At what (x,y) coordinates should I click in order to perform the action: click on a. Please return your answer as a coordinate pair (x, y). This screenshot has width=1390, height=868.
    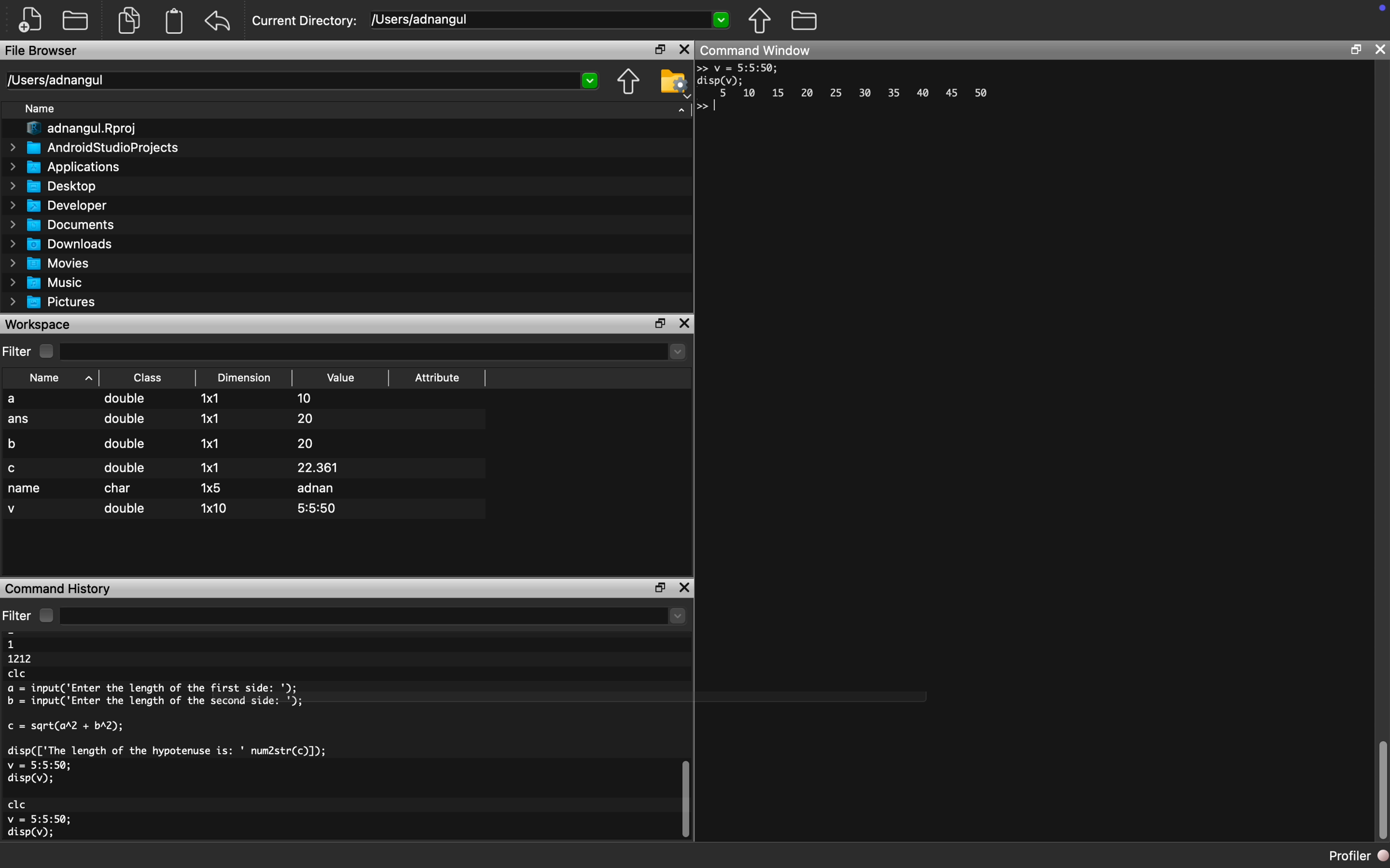
    Looking at the image, I should click on (13, 399).